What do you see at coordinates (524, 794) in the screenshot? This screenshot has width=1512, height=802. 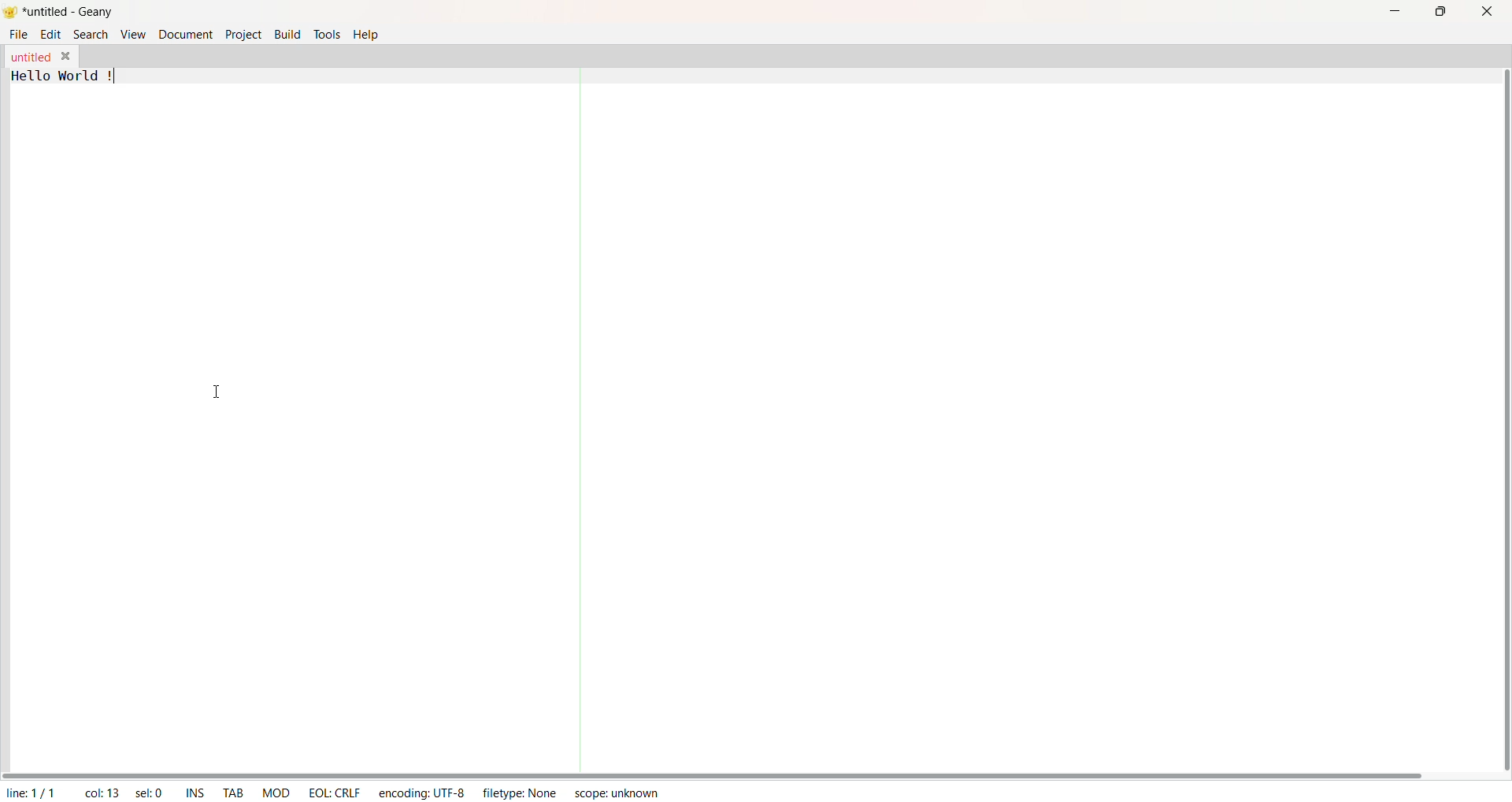 I see `Filtertype` at bounding box center [524, 794].